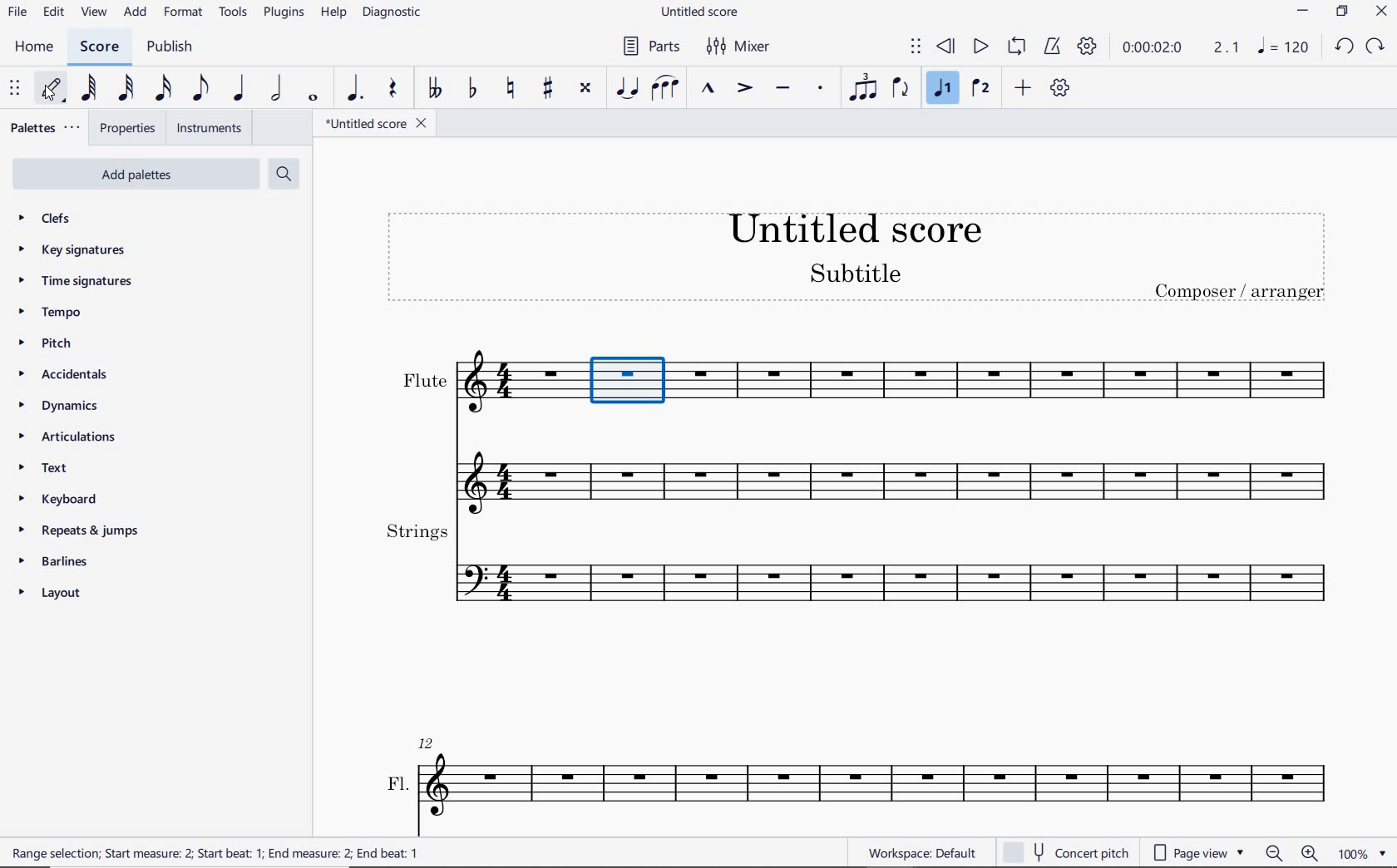 The height and width of the screenshot is (868, 1397). I want to click on accidentals, so click(67, 374).